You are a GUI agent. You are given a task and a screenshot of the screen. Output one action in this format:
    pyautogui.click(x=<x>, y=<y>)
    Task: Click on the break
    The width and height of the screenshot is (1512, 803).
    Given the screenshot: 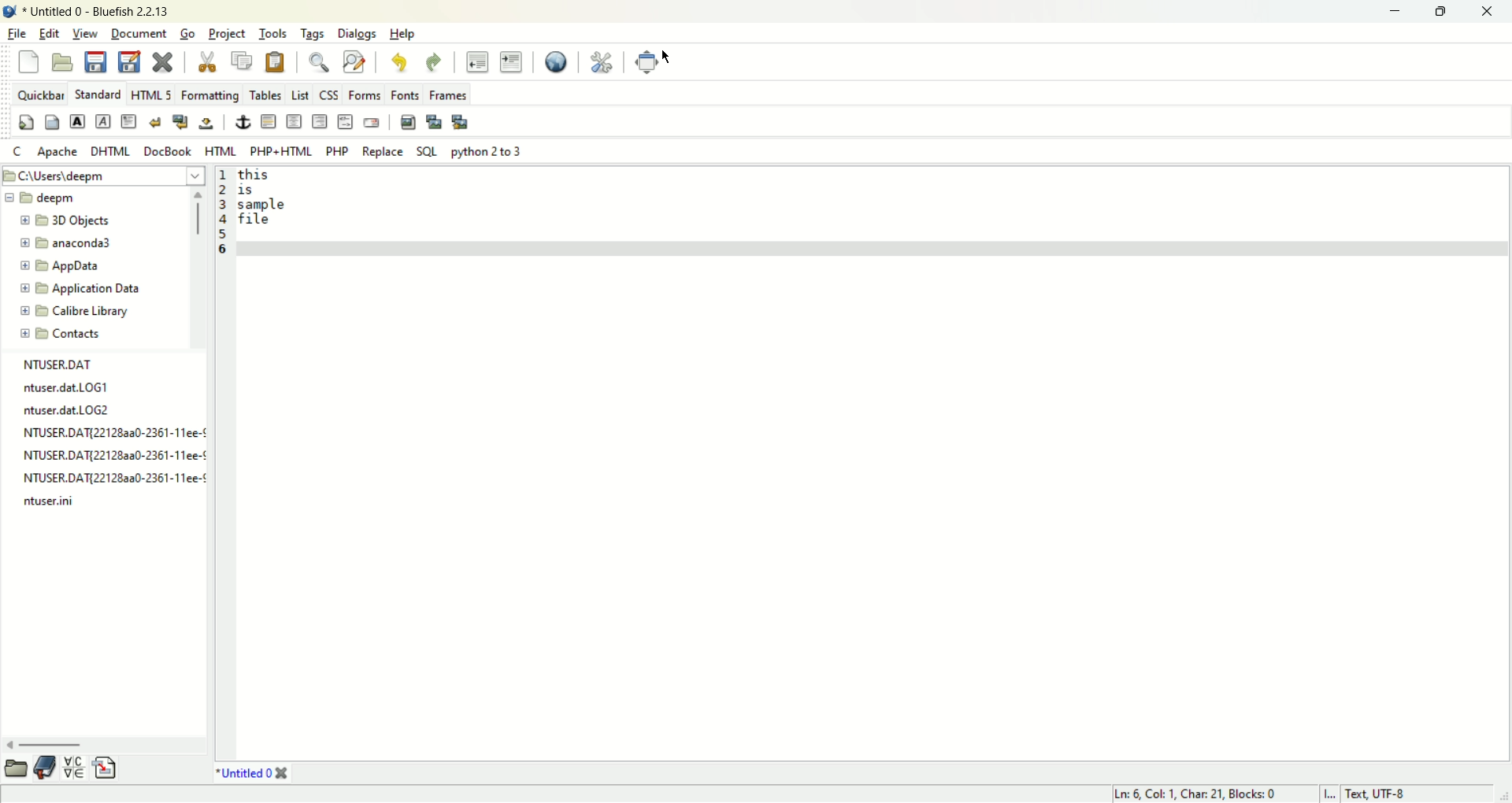 What is the action you would take?
    pyautogui.click(x=157, y=121)
    